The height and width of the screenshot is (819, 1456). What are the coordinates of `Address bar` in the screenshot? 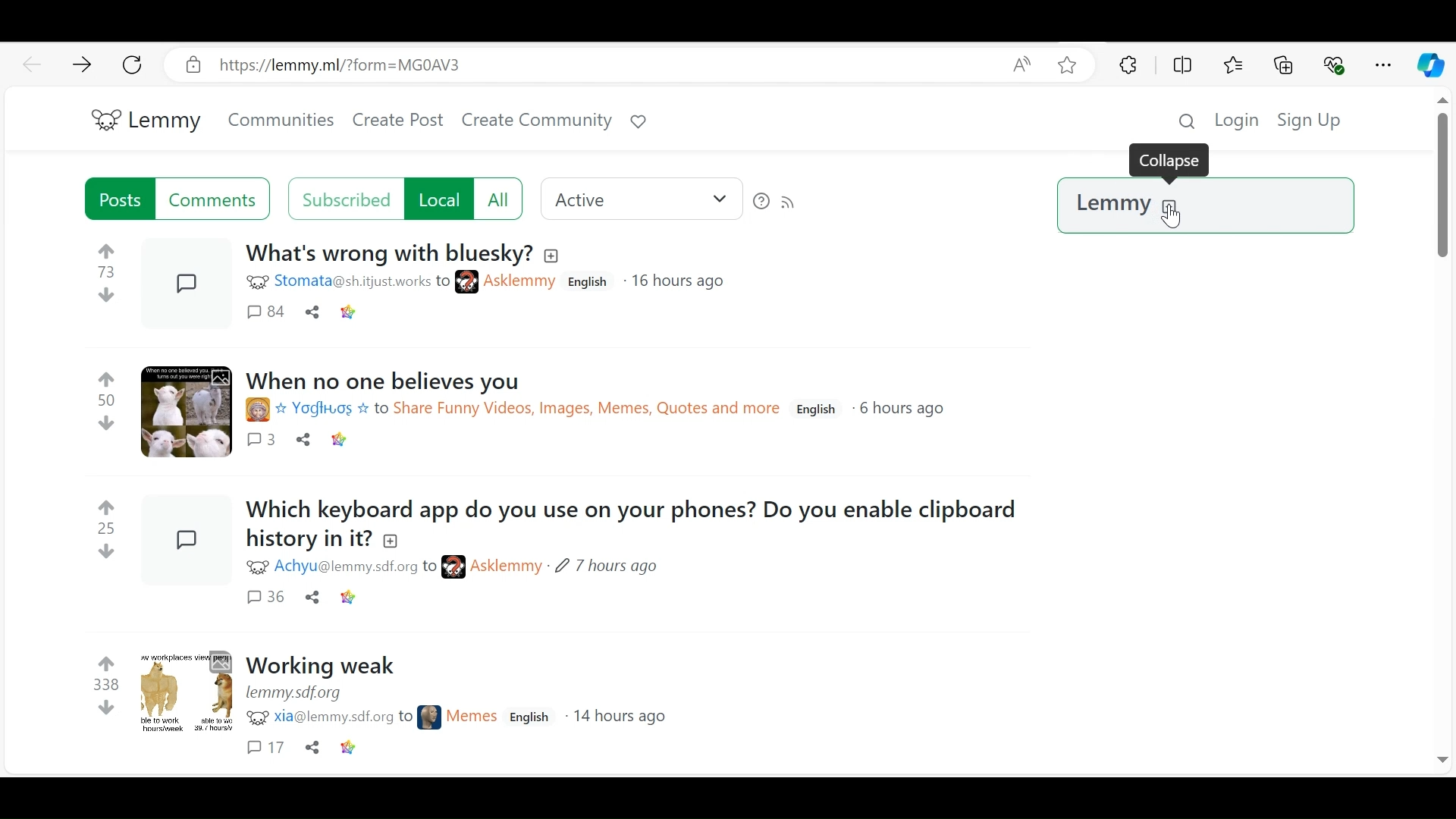 It's located at (606, 64).